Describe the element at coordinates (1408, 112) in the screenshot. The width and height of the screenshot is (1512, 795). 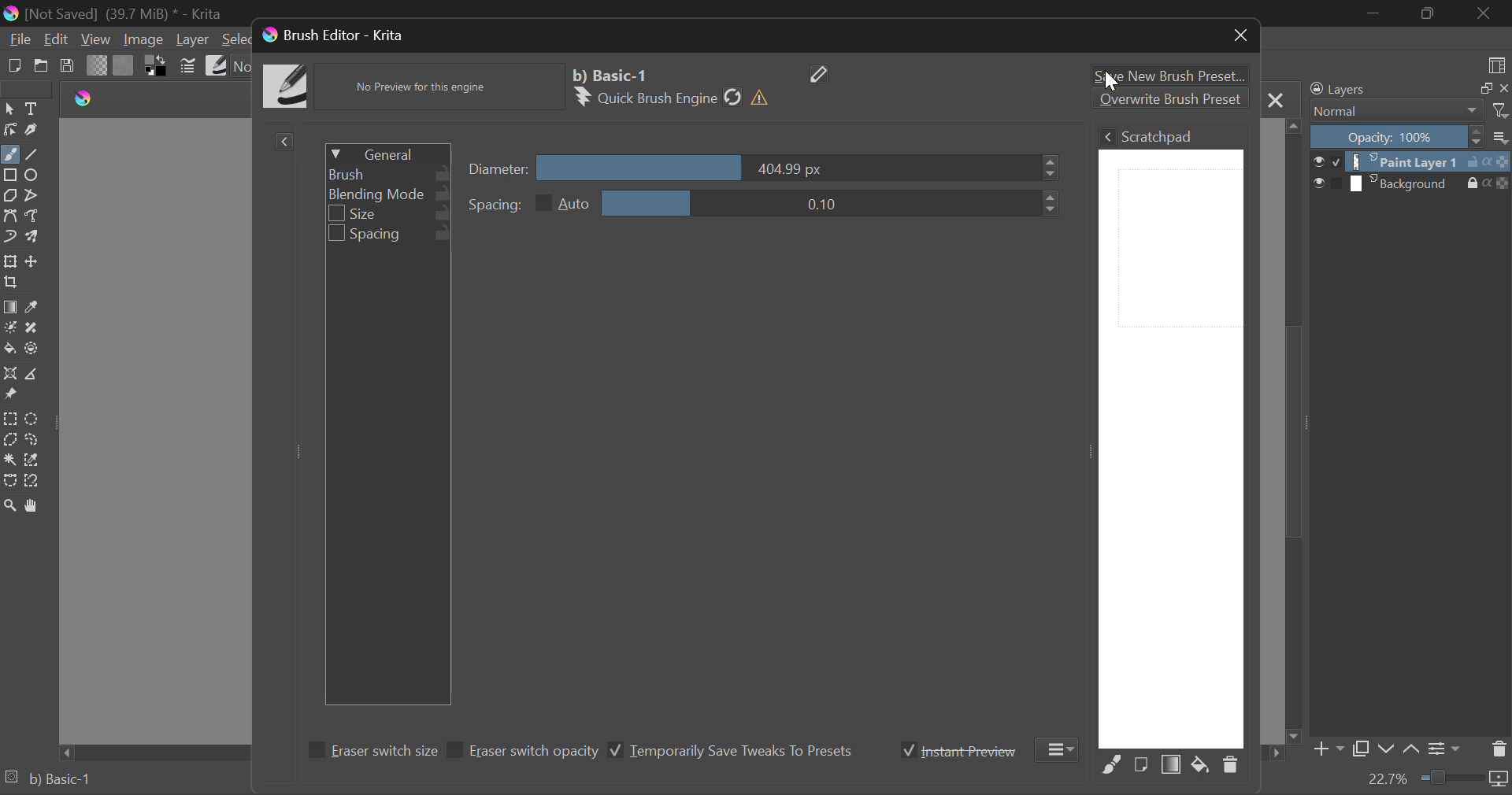
I see `Blending Mode` at that location.